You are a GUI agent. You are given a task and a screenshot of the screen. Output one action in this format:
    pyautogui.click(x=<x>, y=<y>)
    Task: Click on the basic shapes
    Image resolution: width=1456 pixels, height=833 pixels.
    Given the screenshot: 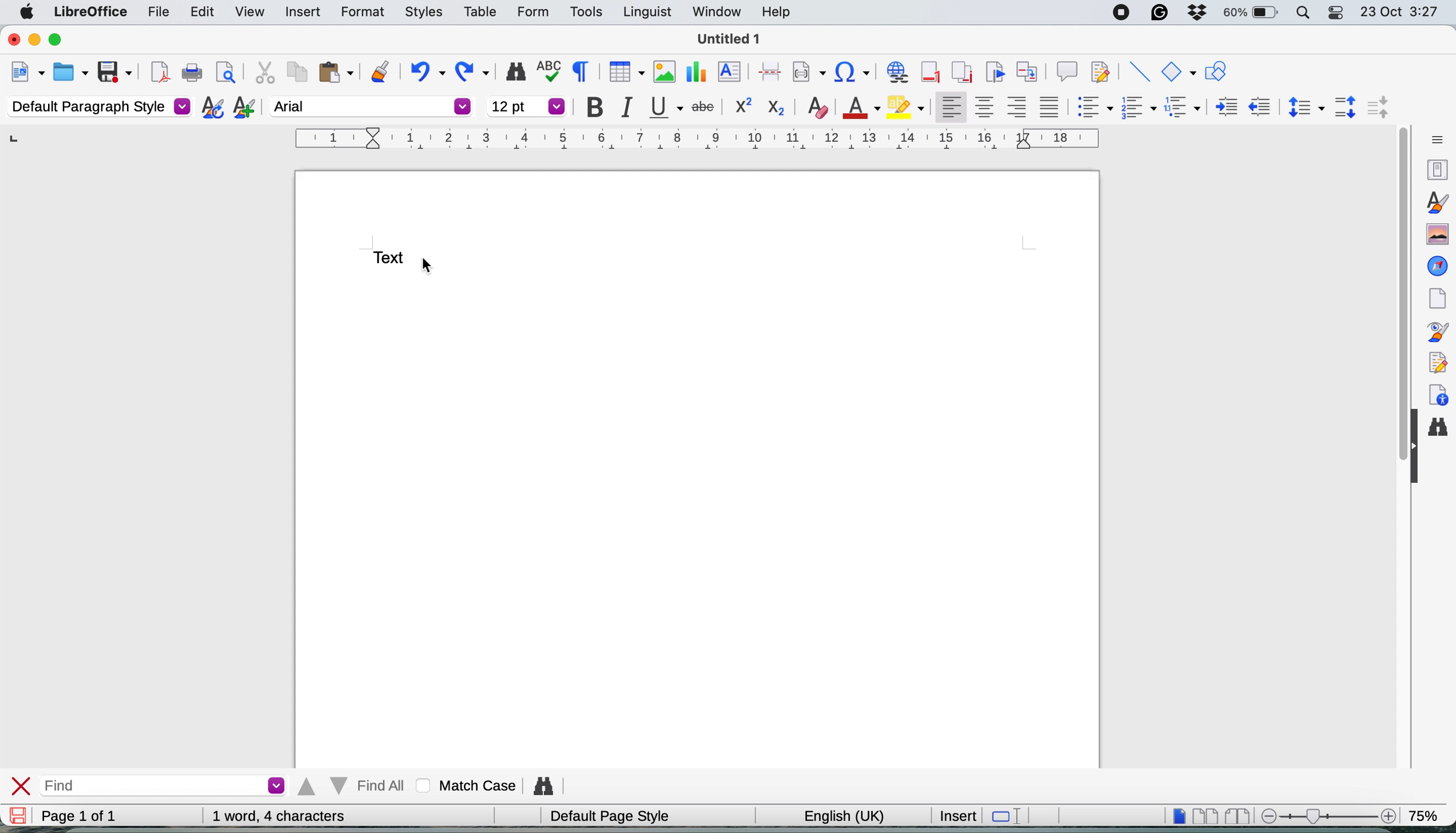 What is the action you would take?
    pyautogui.click(x=1179, y=74)
    